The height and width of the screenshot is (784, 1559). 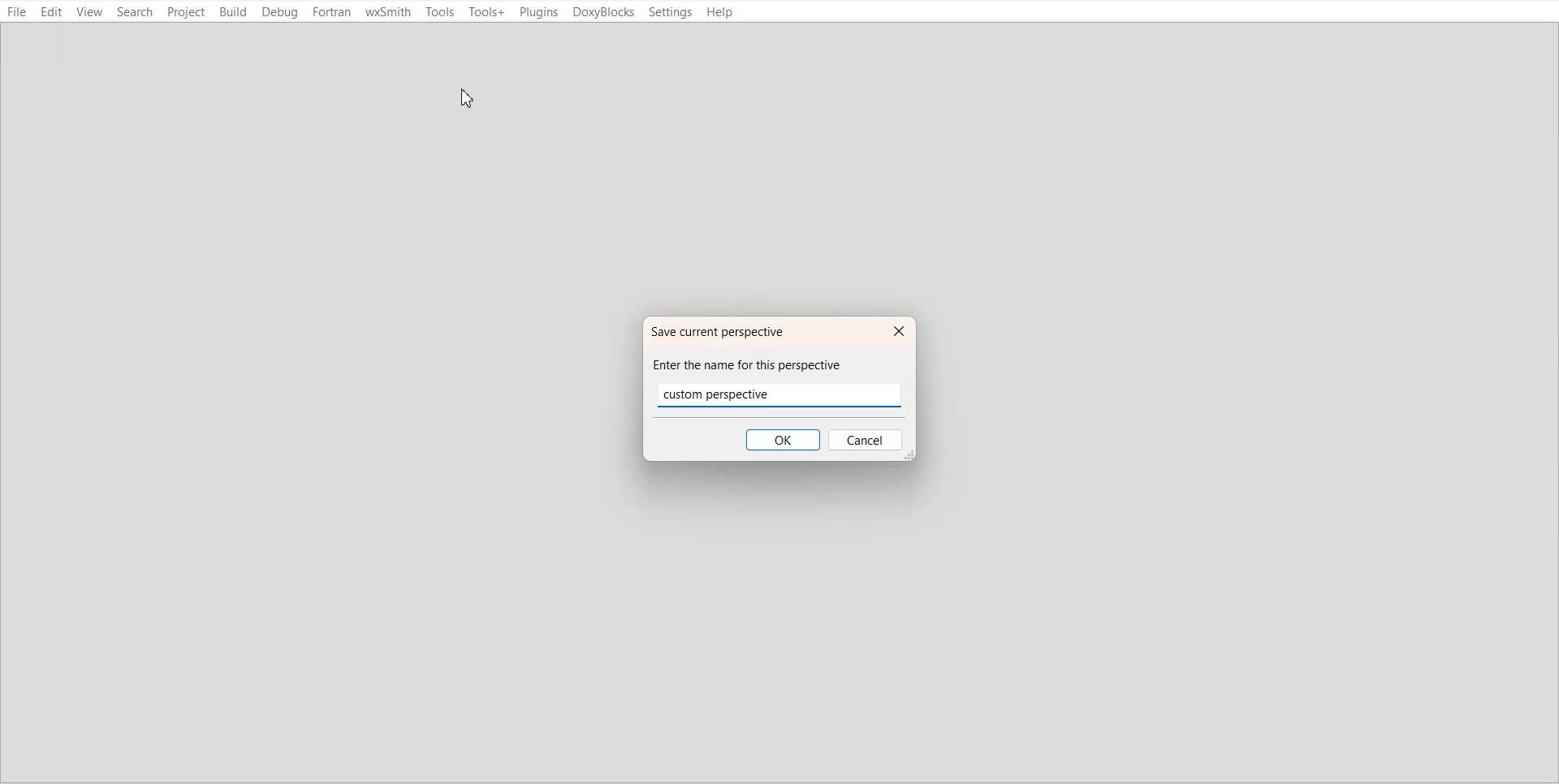 What do you see at coordinates (782, 440) in the screenshot?
I see `OK` at bounding box center [782, 440].